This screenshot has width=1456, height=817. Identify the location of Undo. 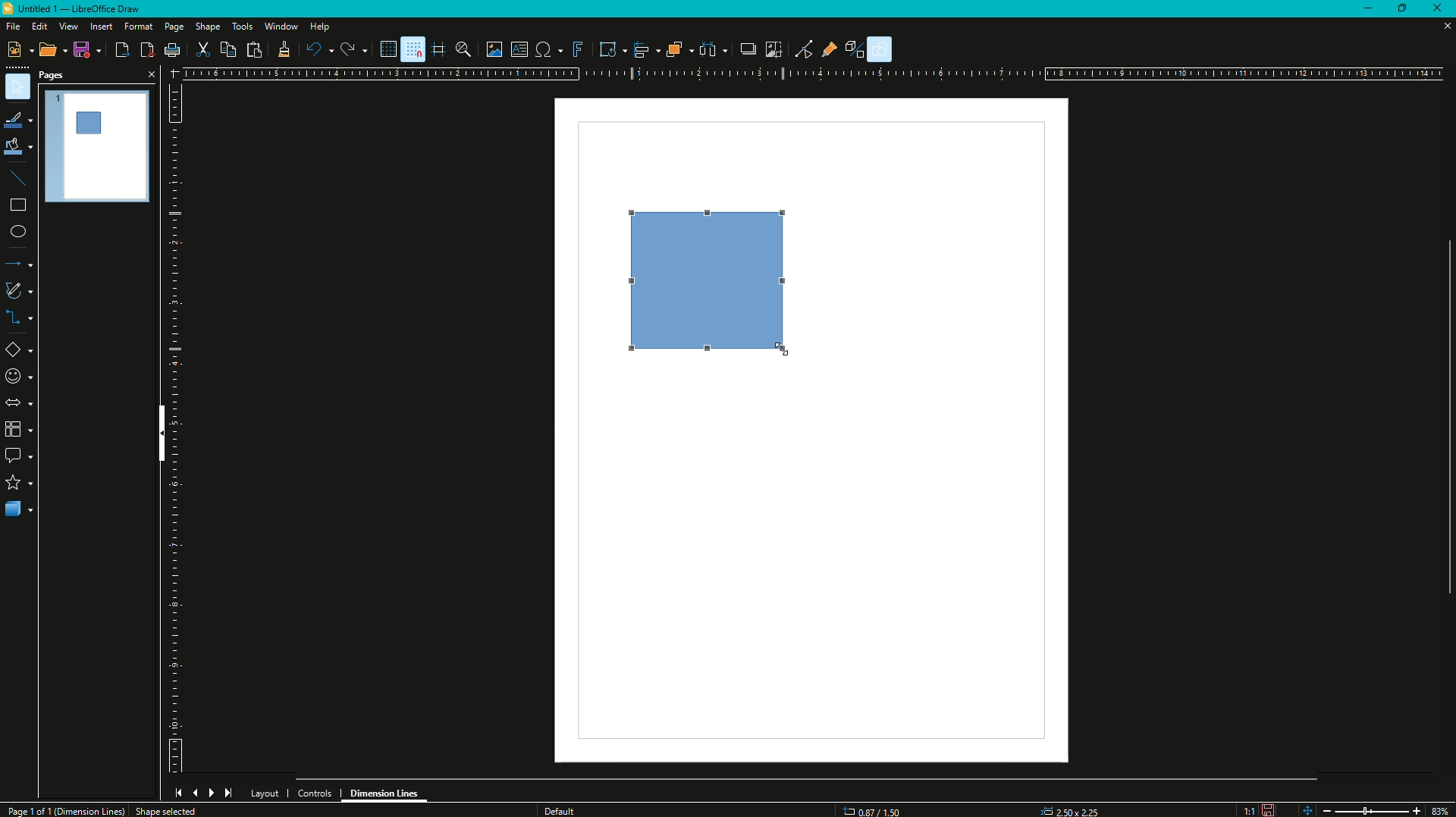
(318, 50).